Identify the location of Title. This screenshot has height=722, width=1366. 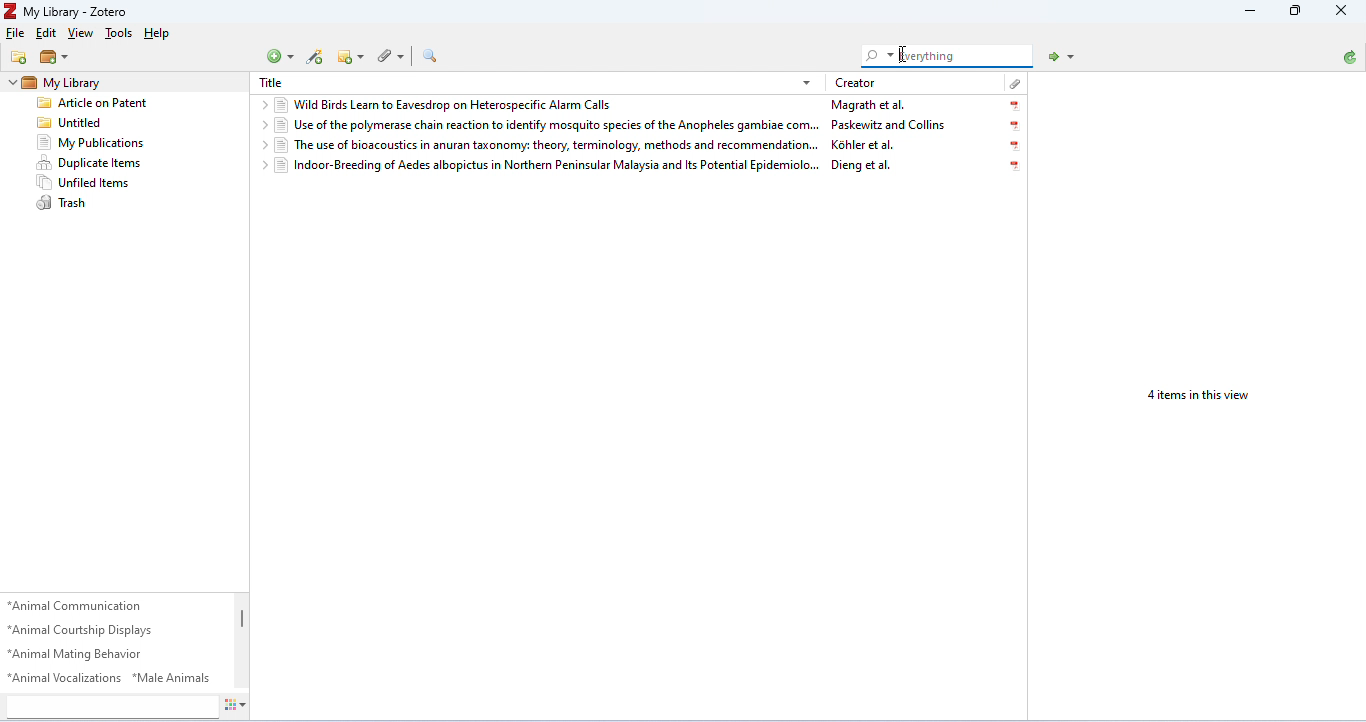
(271, 83).